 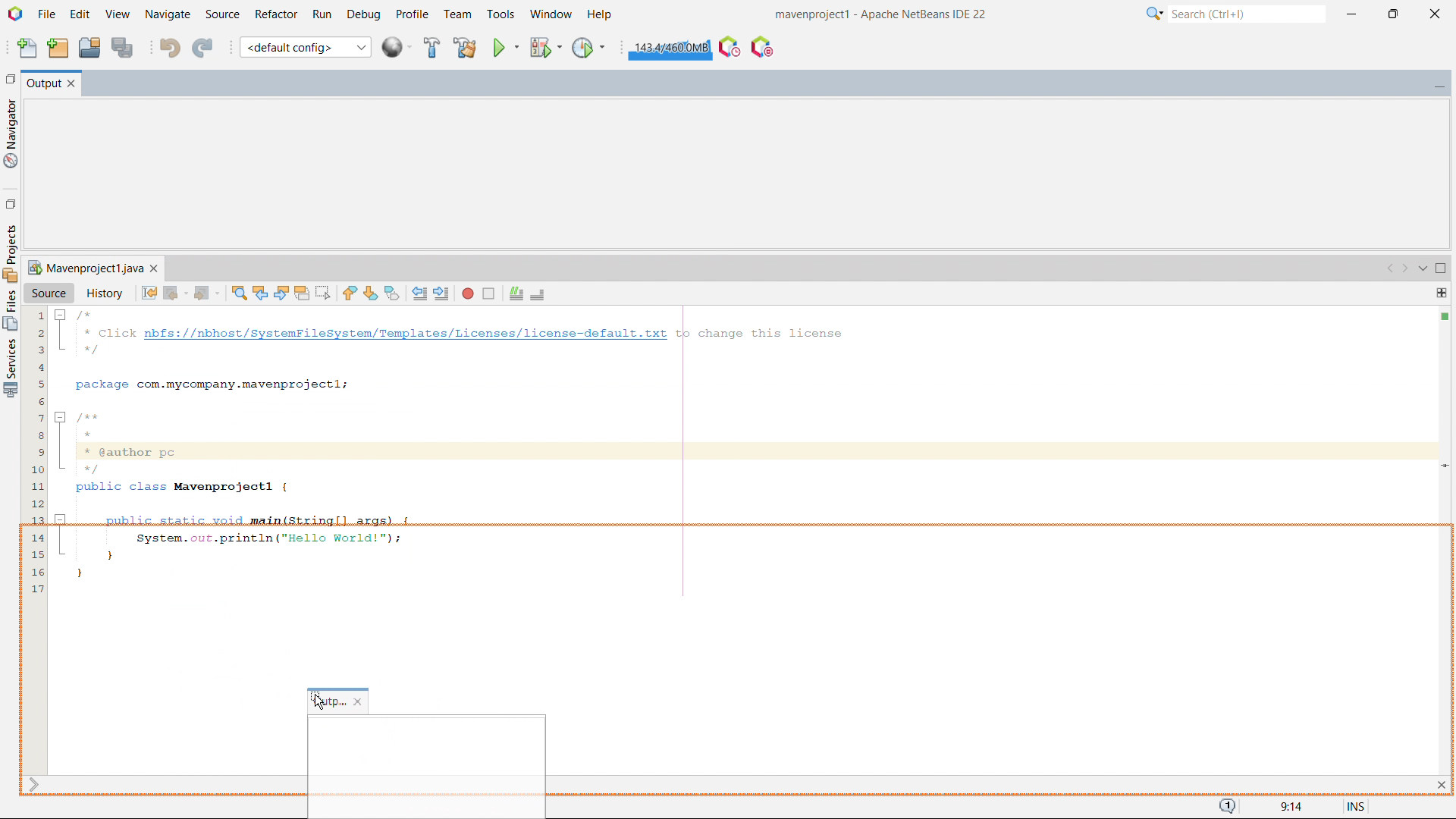 I want to click on toggle highlights search, so click(x=302, y=293).